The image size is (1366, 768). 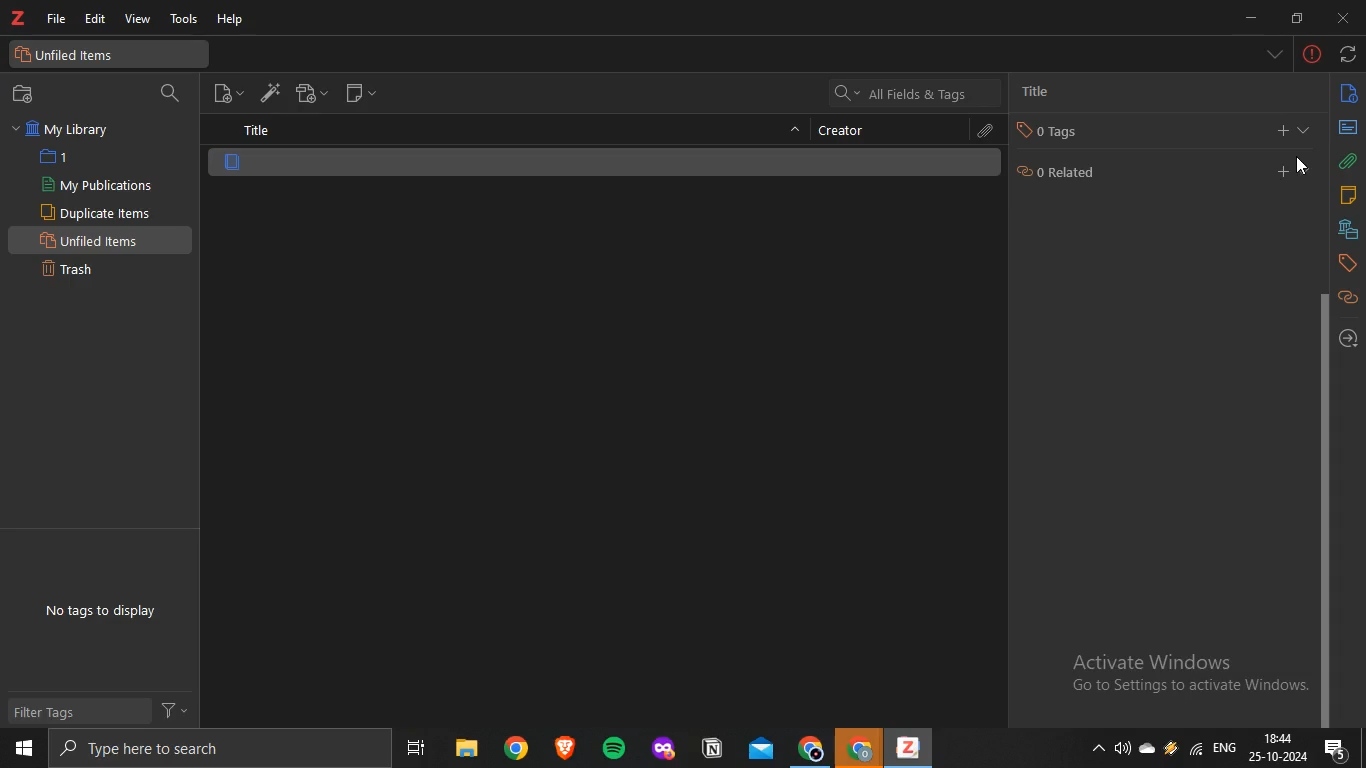 What do you see at coordinates (1267, 55) in the screenshot?
I see `list all tabs` at bounding box center [1267, 55].